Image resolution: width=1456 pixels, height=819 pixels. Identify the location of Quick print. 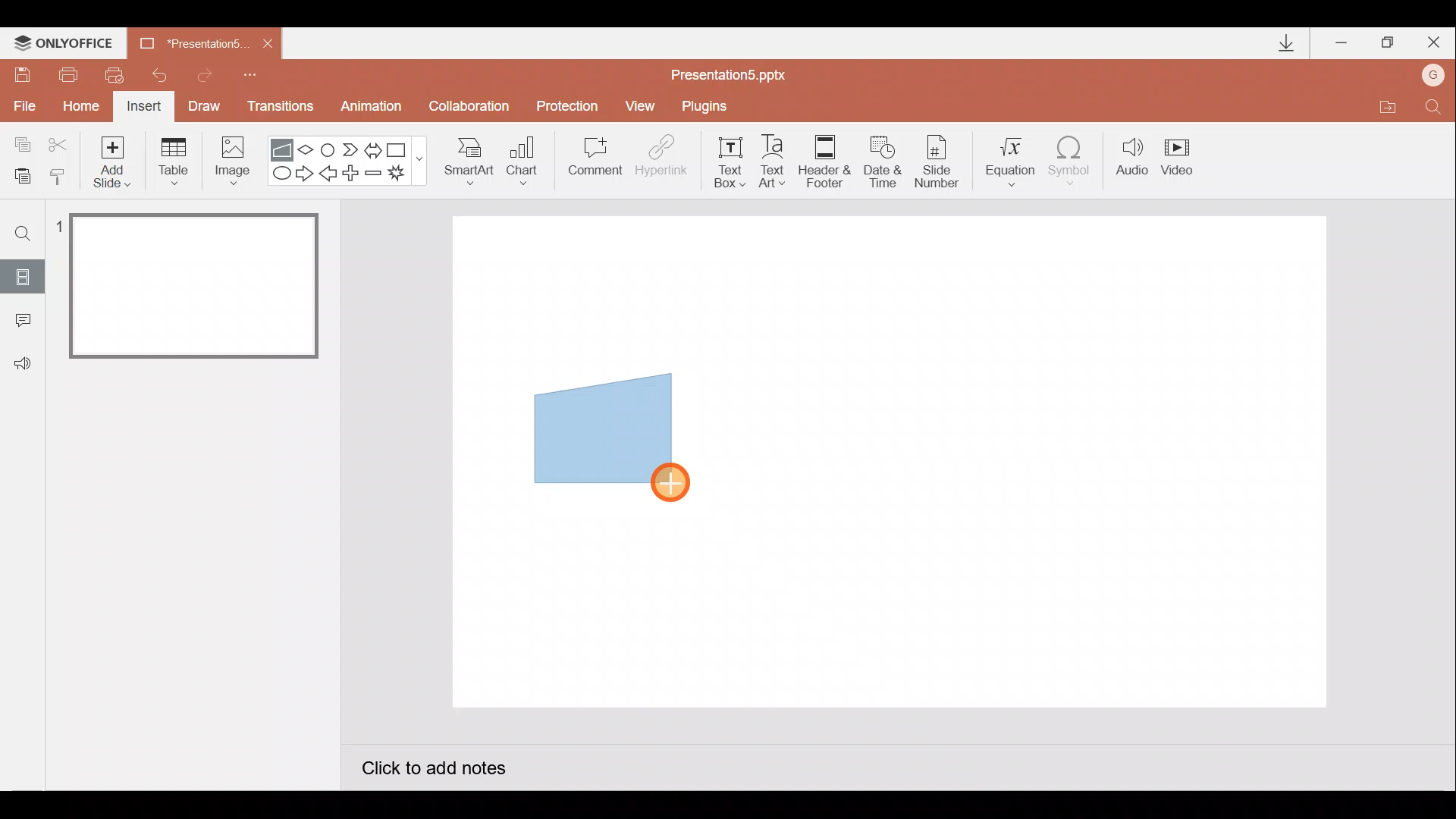
(120, 71).